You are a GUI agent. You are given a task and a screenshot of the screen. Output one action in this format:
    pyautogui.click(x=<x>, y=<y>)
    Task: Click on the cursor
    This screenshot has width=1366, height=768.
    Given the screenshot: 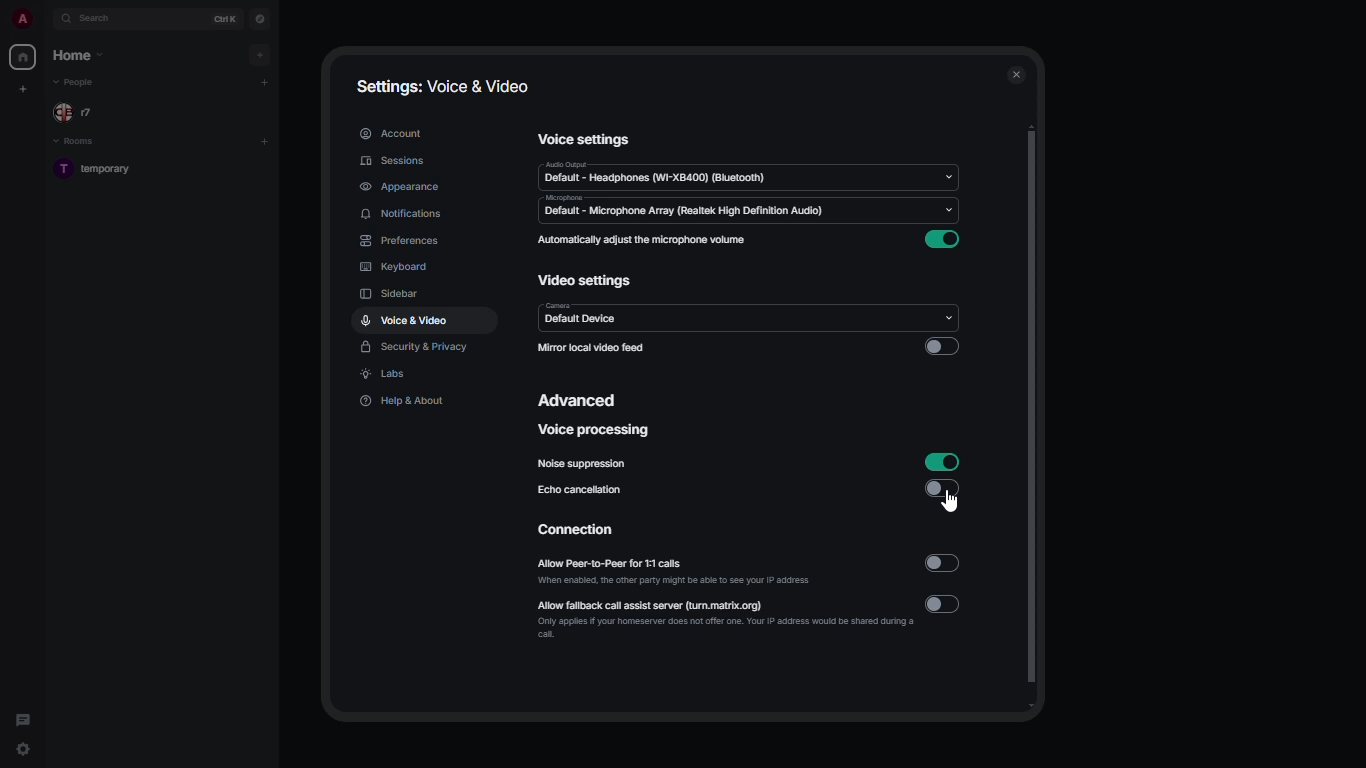 What is the action you would take?
    pyautogui.click(x=953, y=503)
    